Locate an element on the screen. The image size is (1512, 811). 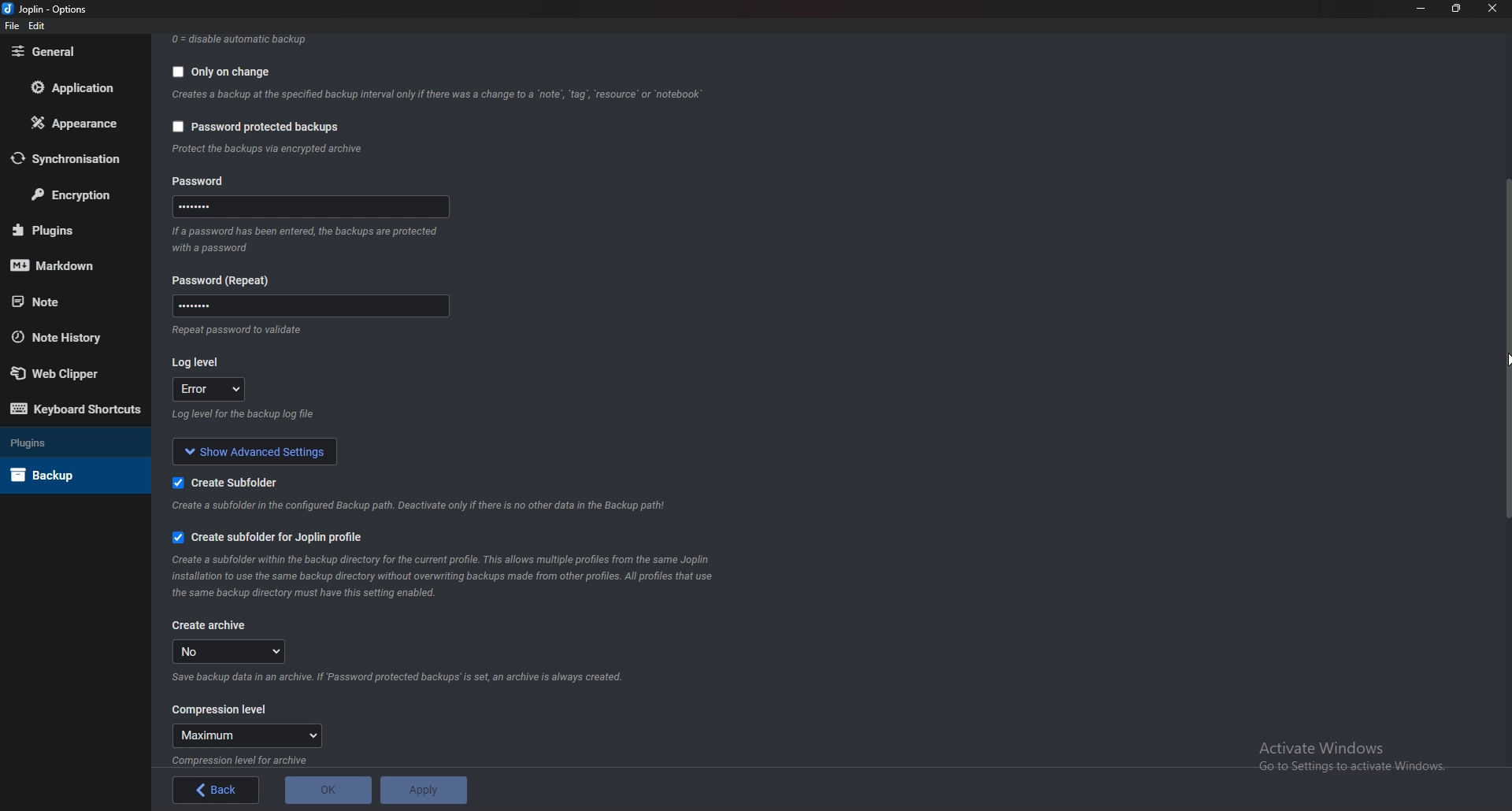
Resize is located at coordinates (1457, 9).